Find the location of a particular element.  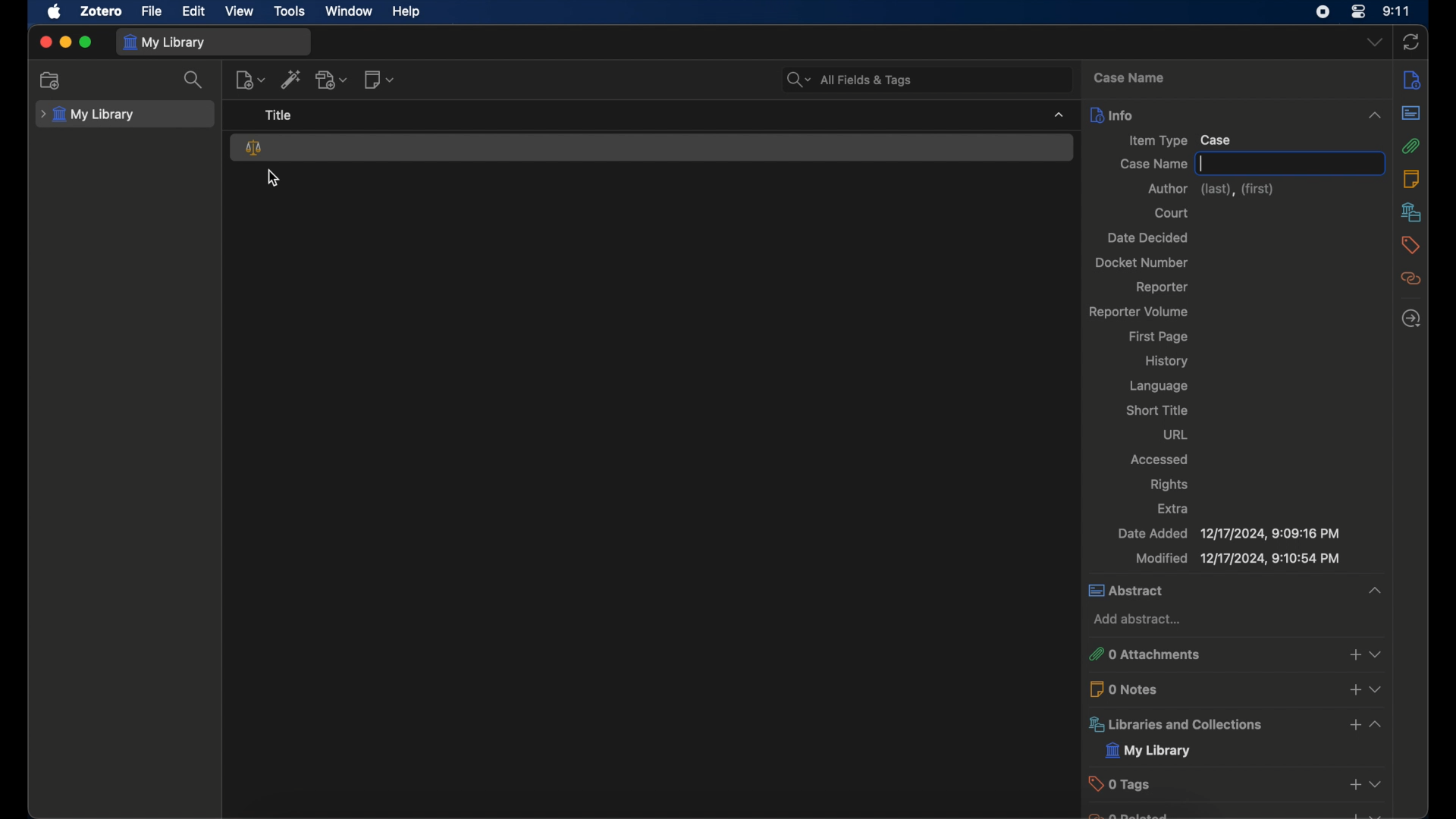

tags is located at coordinates (1410, 244).